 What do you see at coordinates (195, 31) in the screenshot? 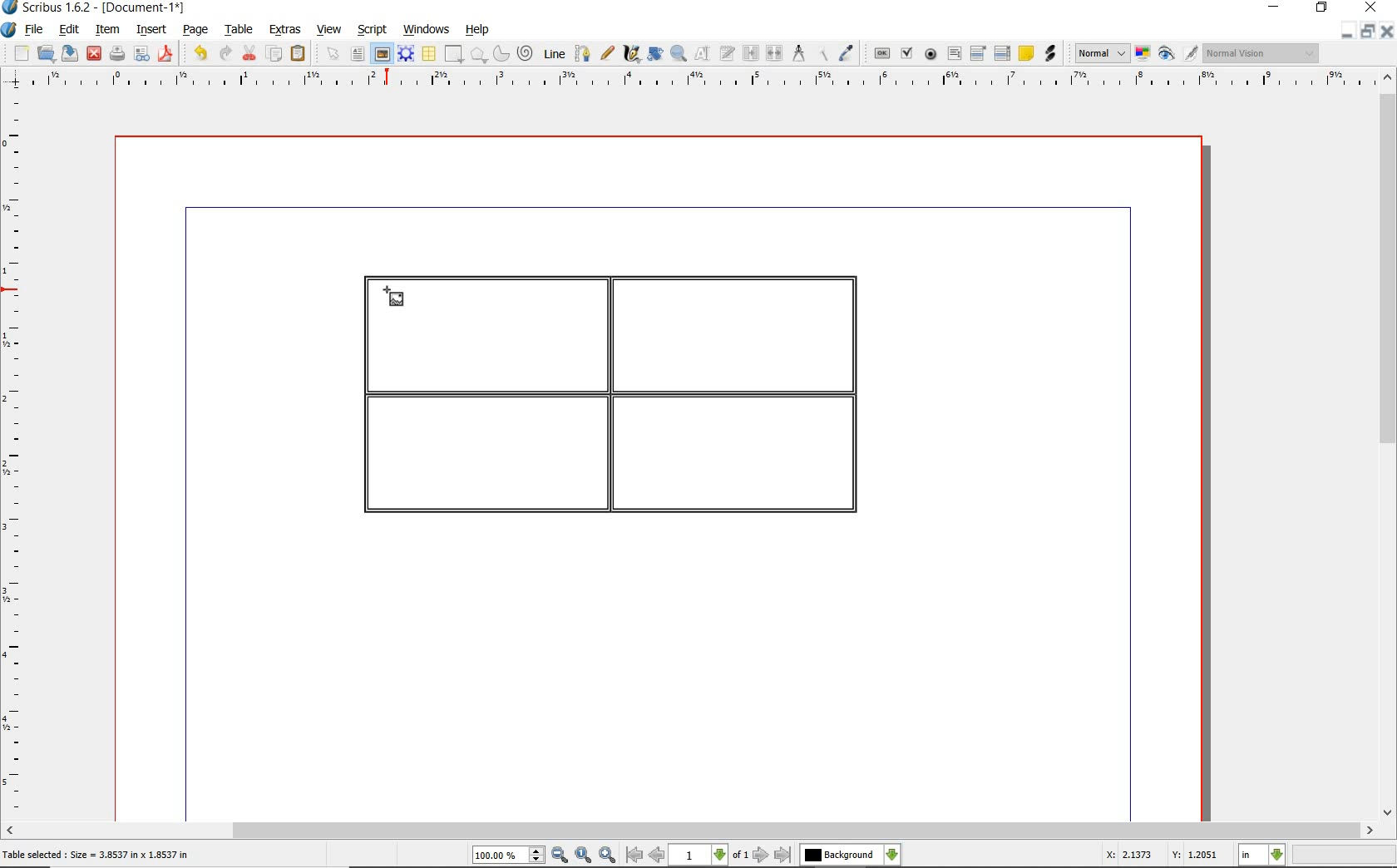
I see `page` at bounding box center [195, 31].